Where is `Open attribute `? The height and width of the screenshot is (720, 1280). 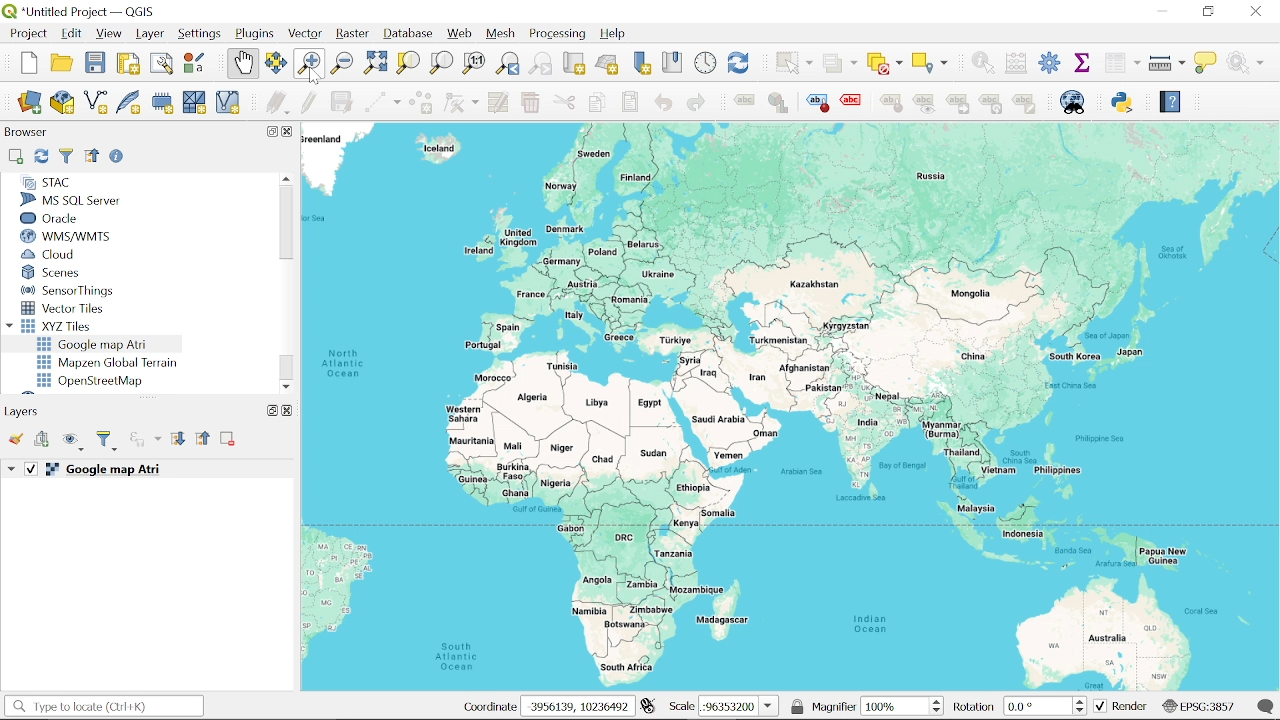 Open attribute  is located at coordinates (1122, 64).